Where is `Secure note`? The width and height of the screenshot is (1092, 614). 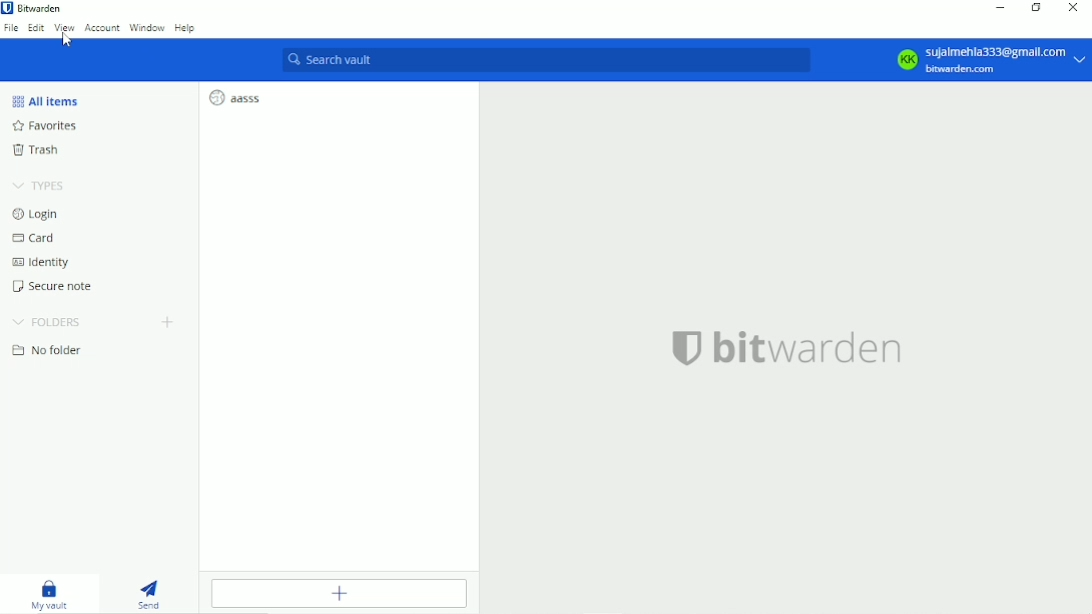
Secure note is located at coordinates (63, 286).